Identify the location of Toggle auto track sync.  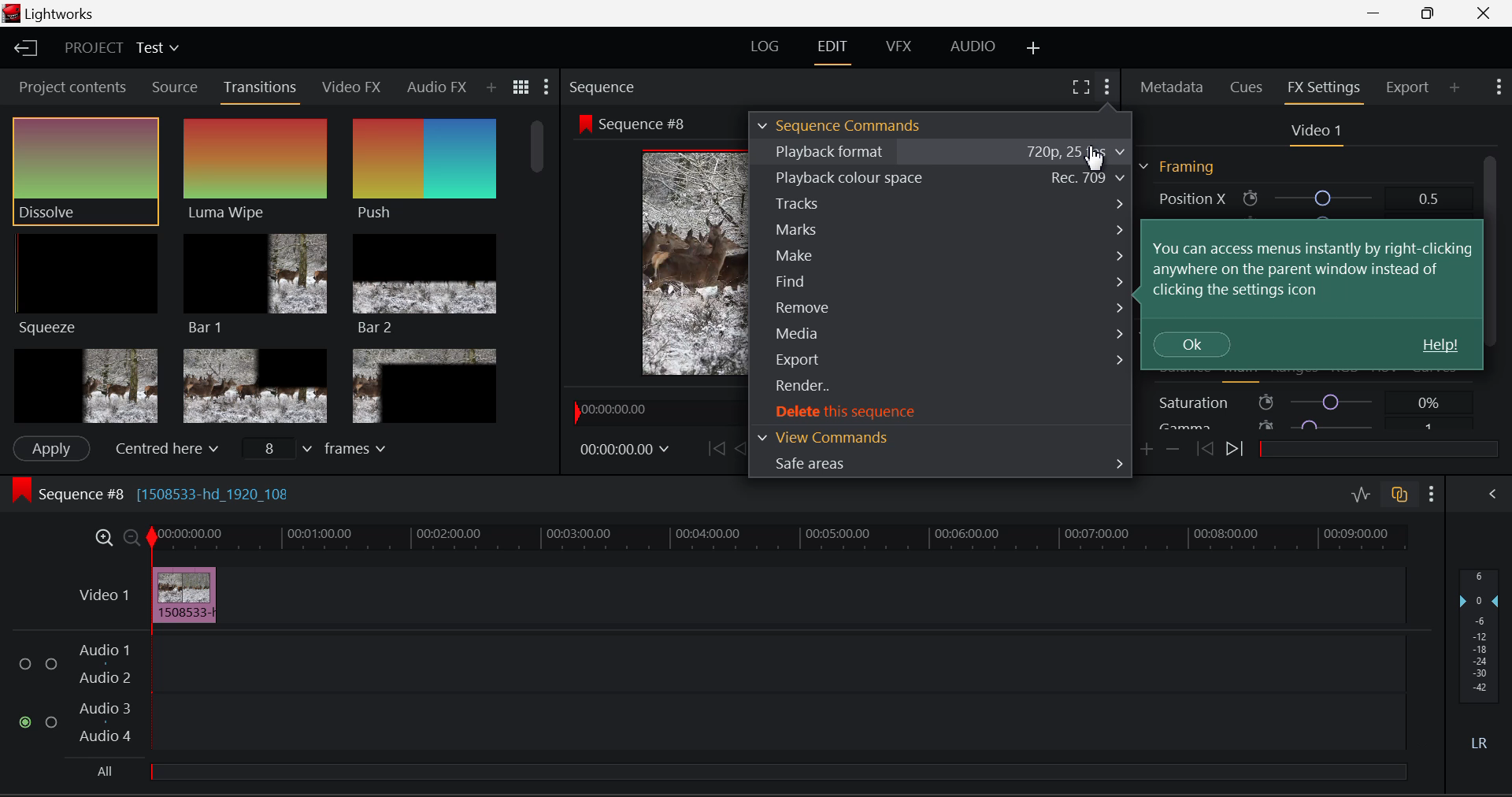
(1400, 495).